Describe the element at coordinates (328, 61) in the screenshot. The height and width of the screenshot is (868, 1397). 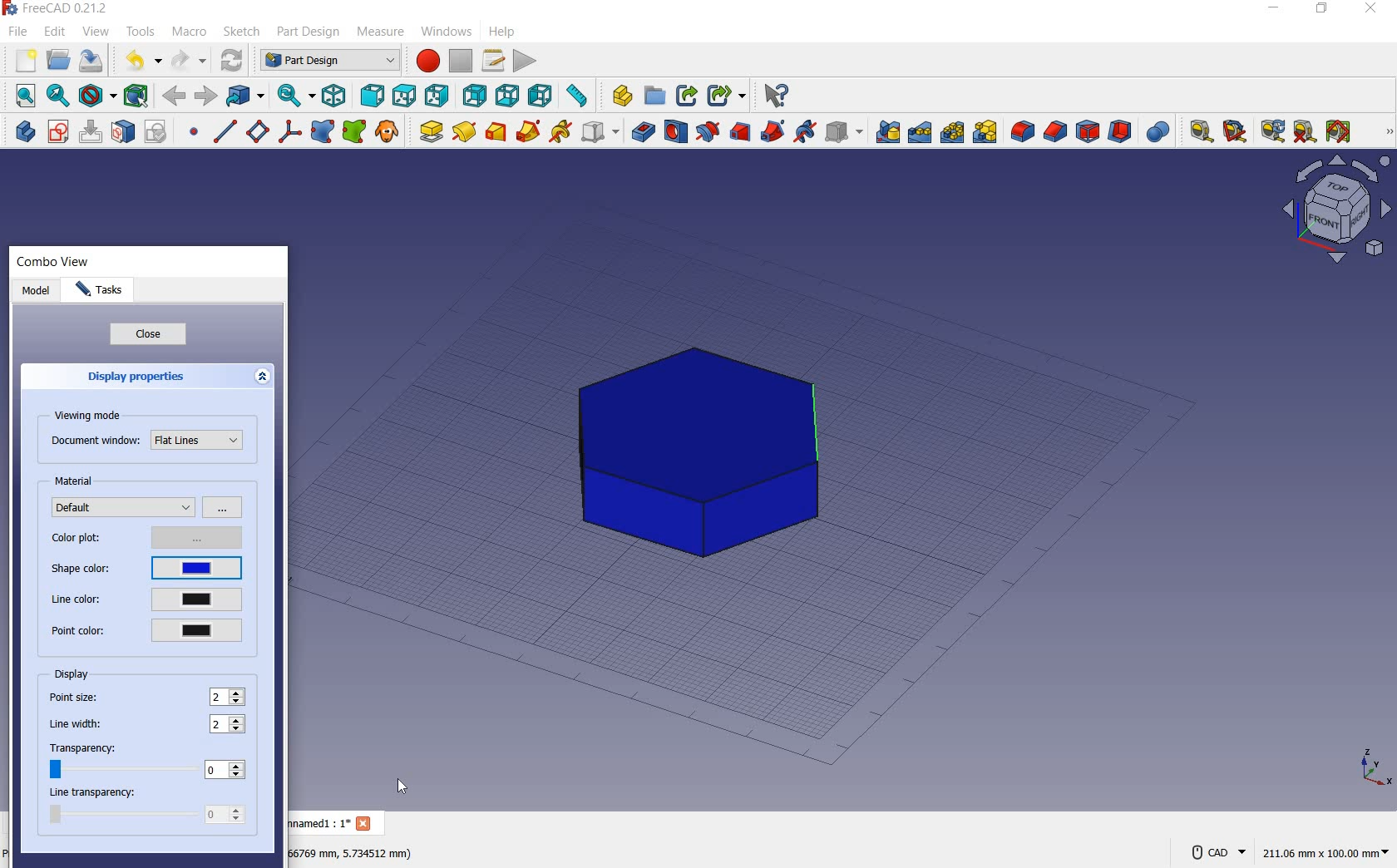
I see `switch between workbenches` at that location.